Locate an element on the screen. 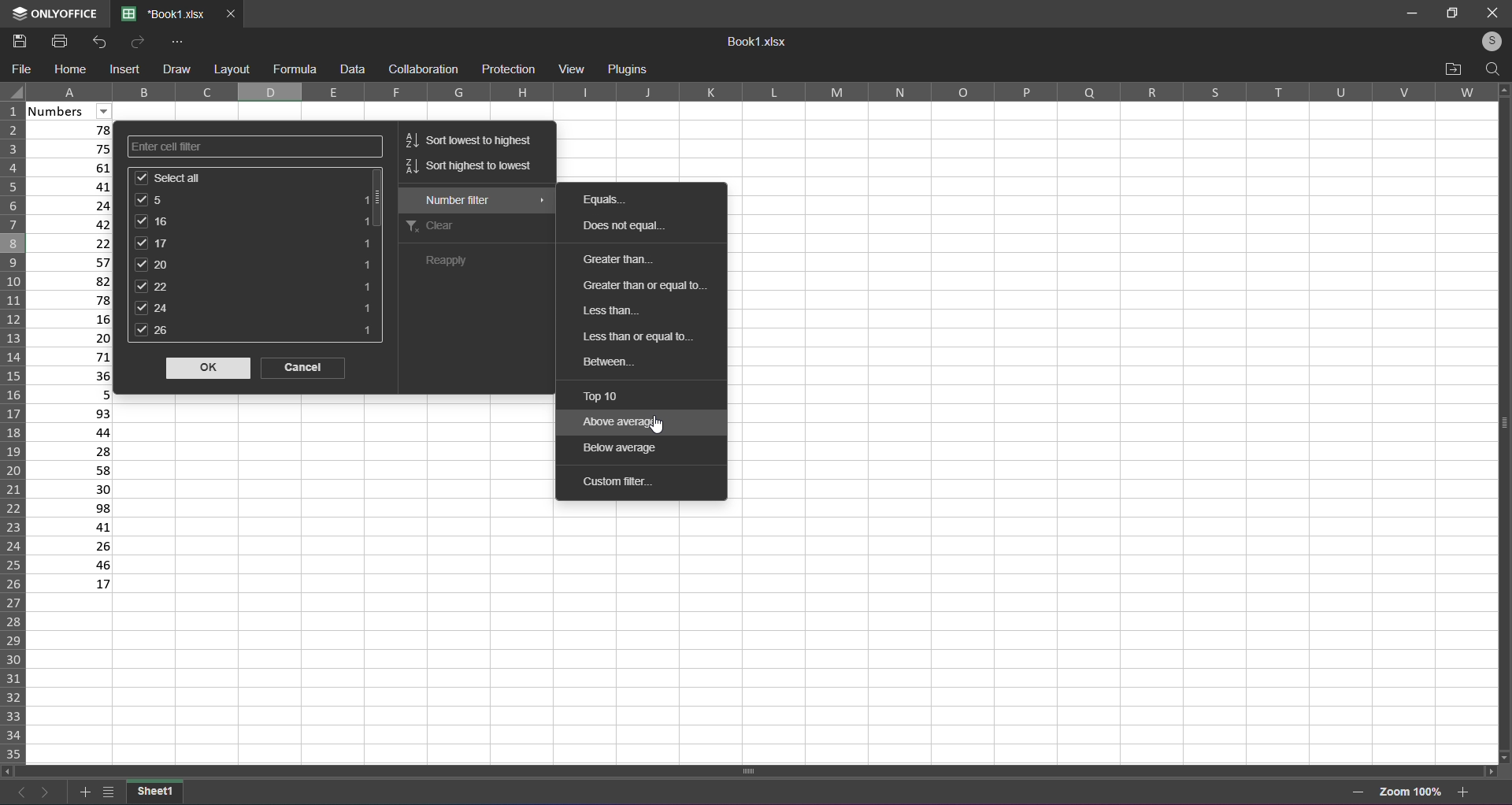 The width and height of the screenshot is (1512, 805). 17 is located at coordinates (72, 585).